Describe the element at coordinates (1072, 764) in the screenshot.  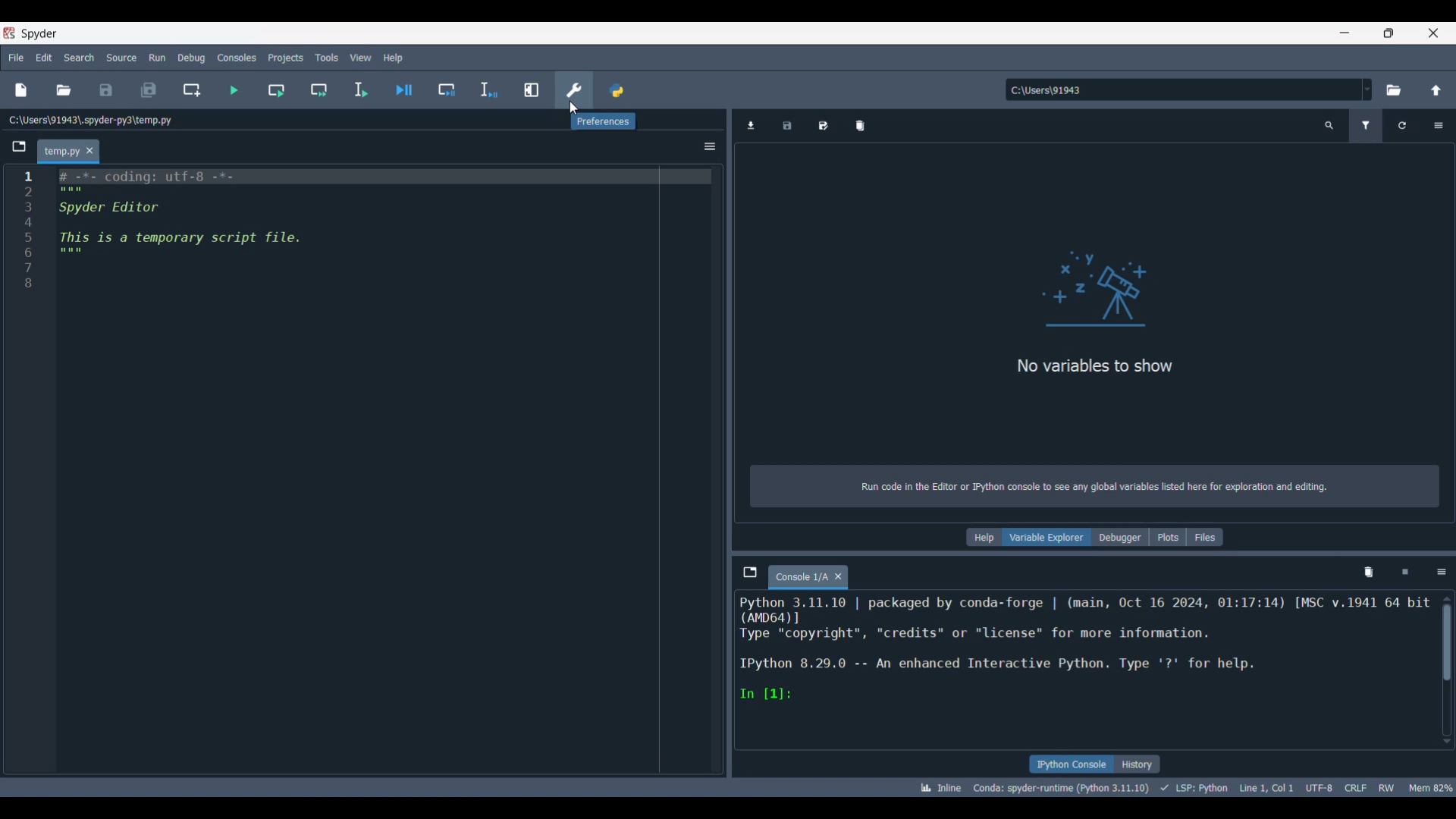
I see `IPython console` at that location.